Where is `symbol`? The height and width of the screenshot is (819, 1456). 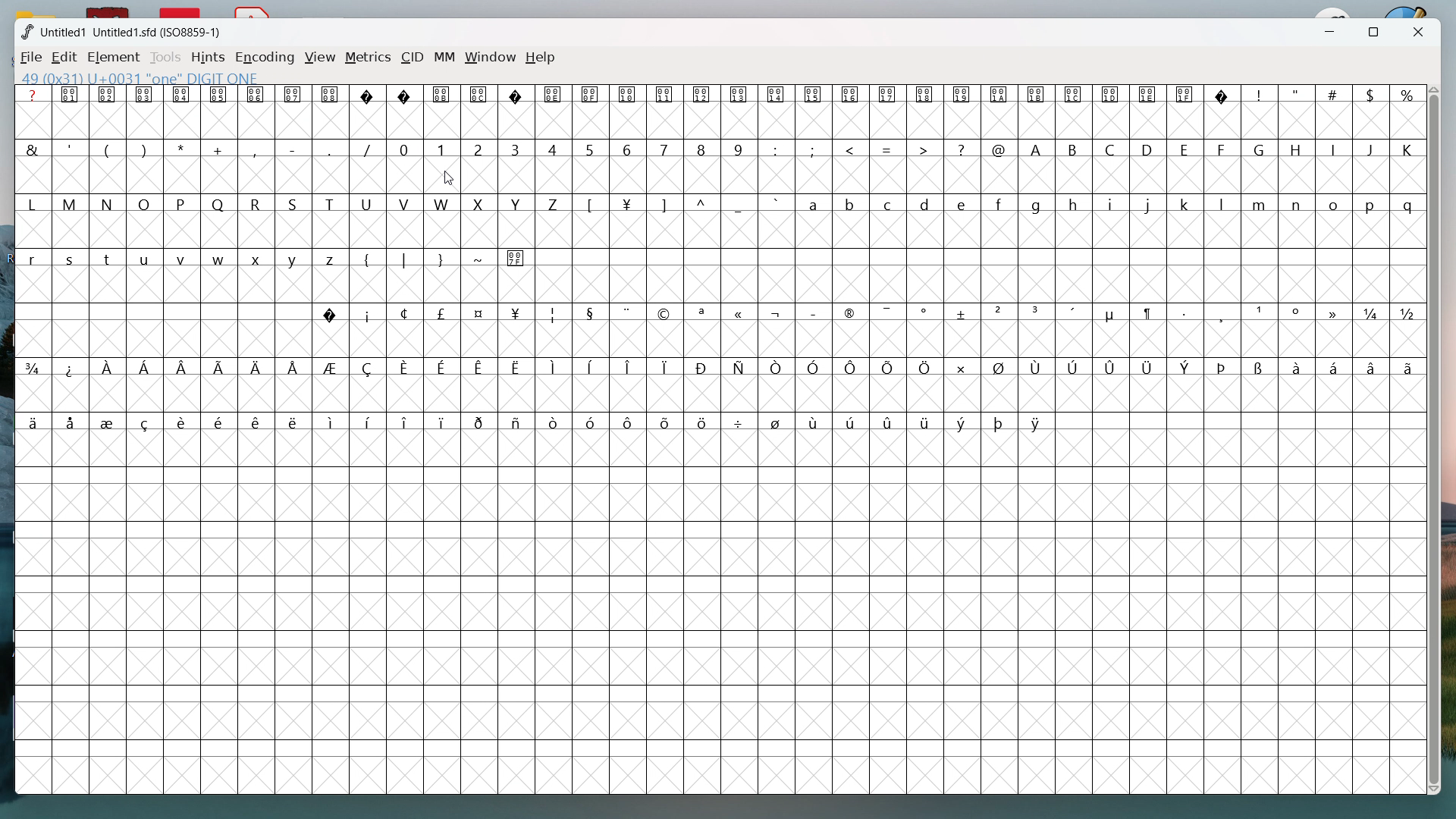 symbol is located at coordinates (71, 94).